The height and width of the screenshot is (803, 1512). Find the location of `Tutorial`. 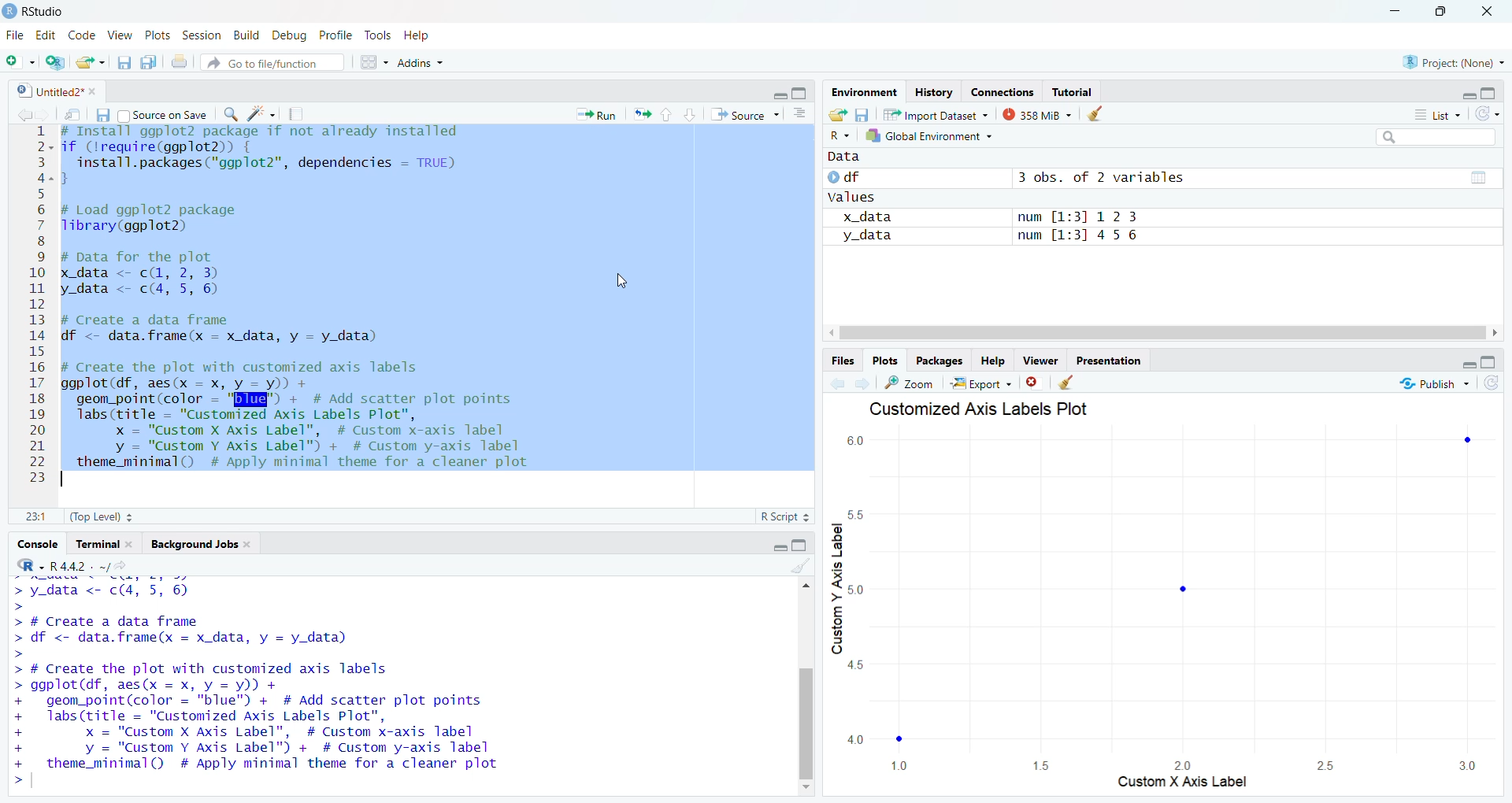

Tutorial is located at coordinates (1076, 92).